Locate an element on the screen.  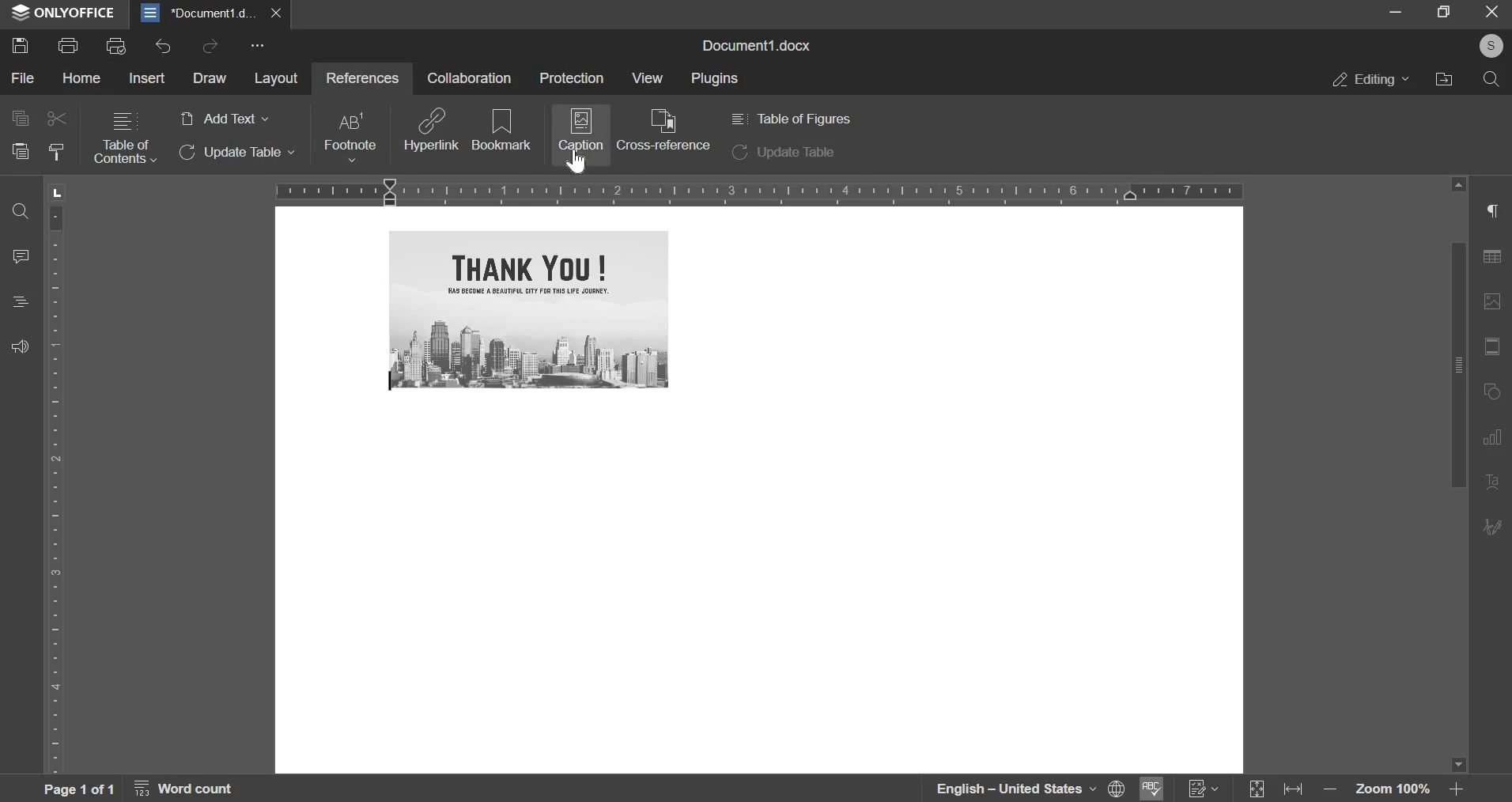
copy is located at coordinates (19, 117).